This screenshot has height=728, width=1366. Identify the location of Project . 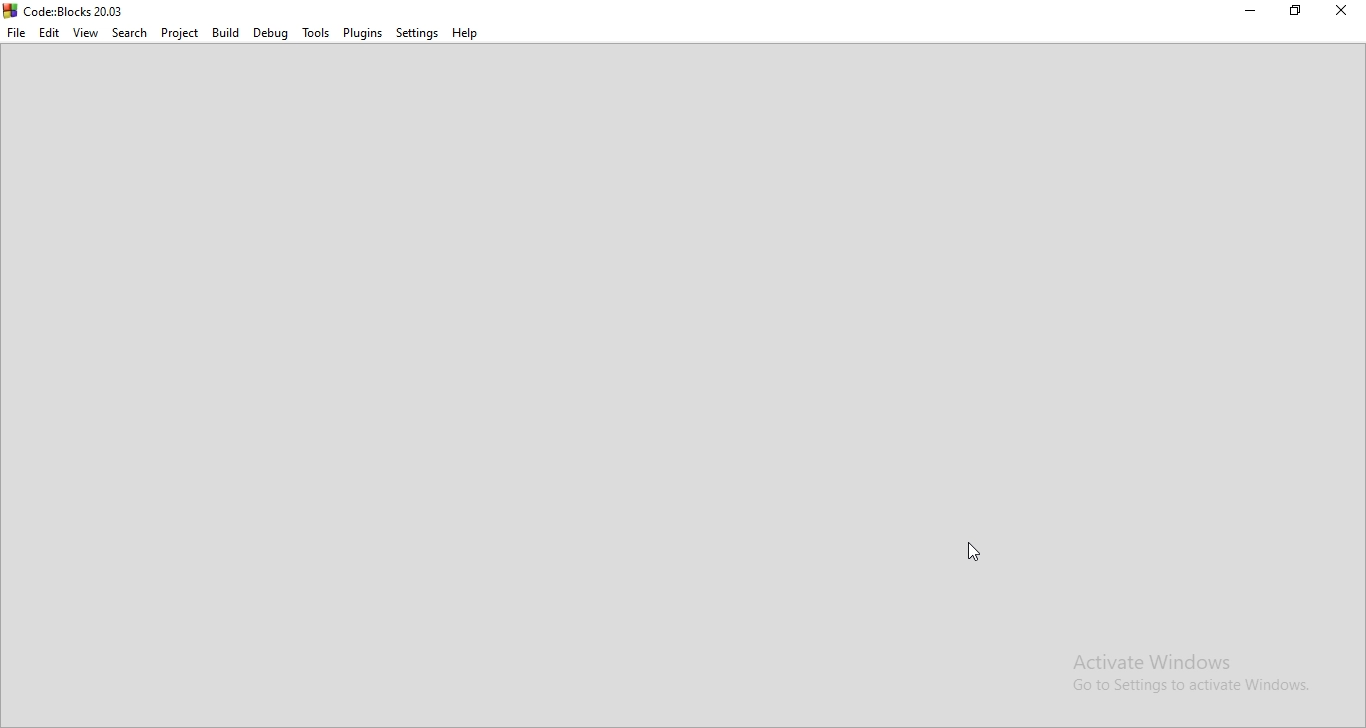
(179, 31).